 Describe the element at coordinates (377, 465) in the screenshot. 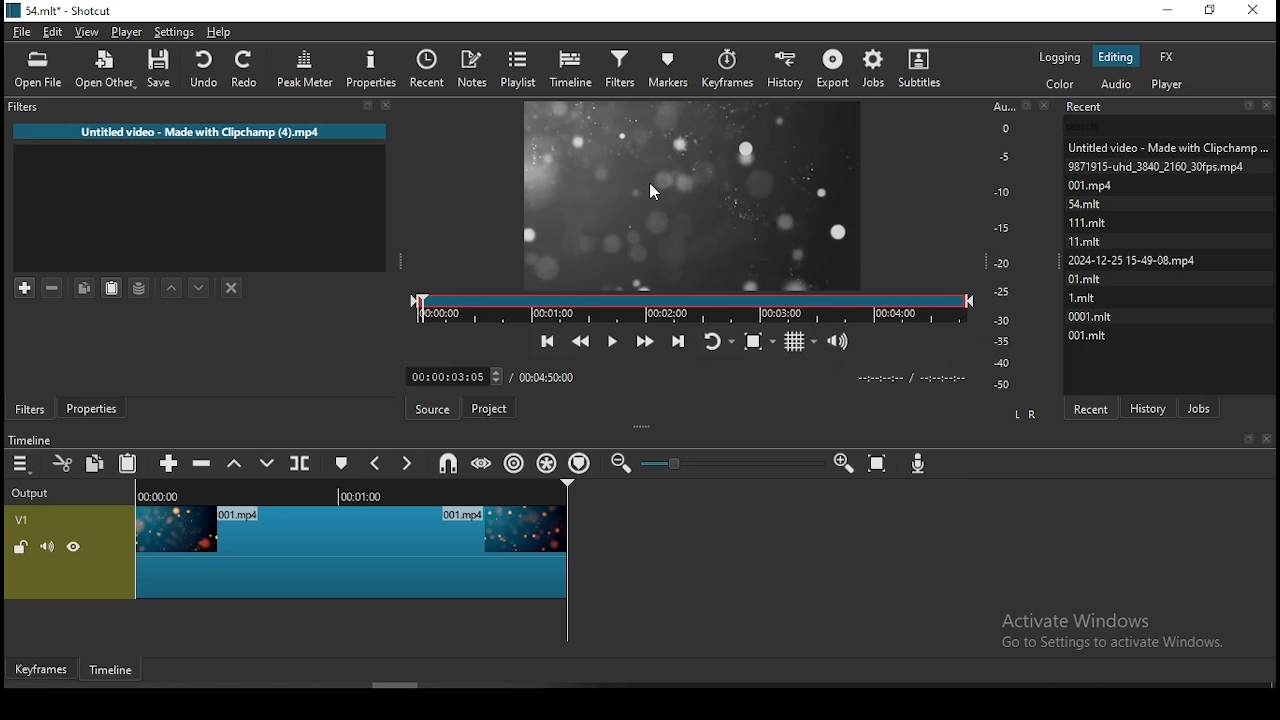

I see `previous marker` at that location.